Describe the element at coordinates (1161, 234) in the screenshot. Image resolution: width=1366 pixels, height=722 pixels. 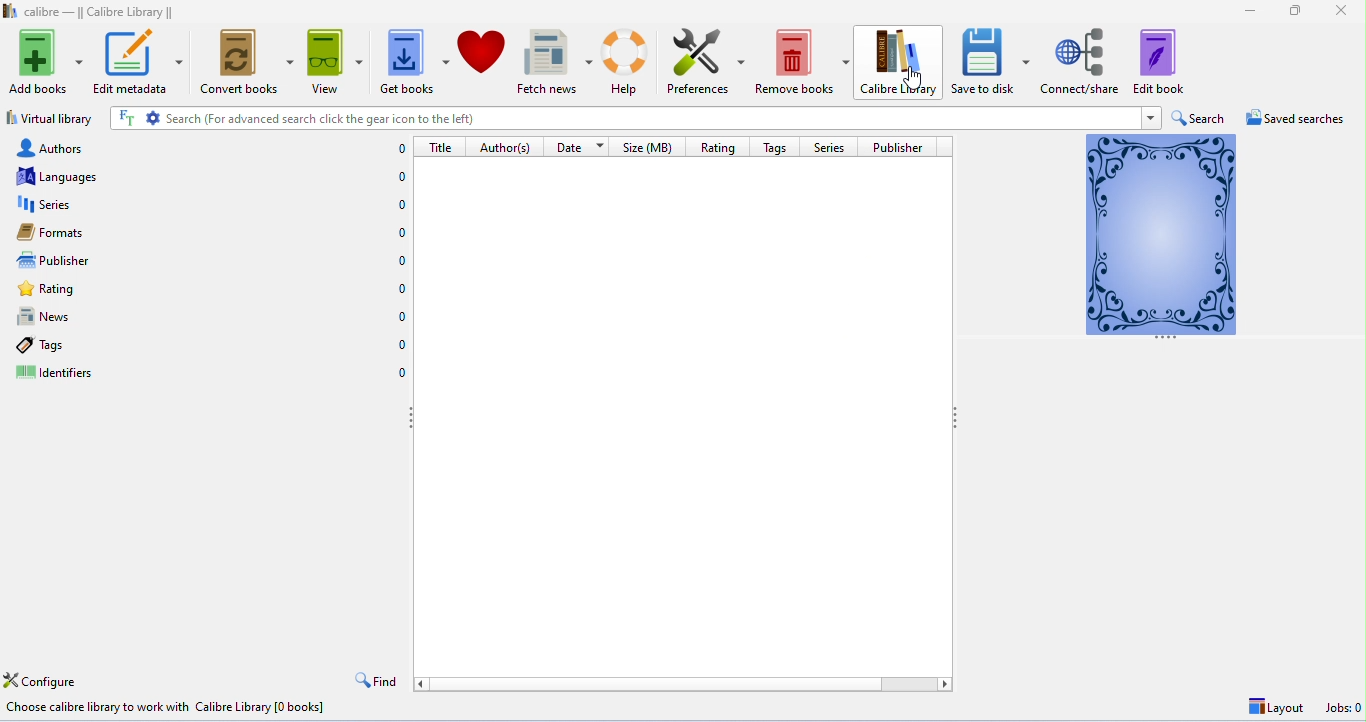
I see `book cover` at that location.